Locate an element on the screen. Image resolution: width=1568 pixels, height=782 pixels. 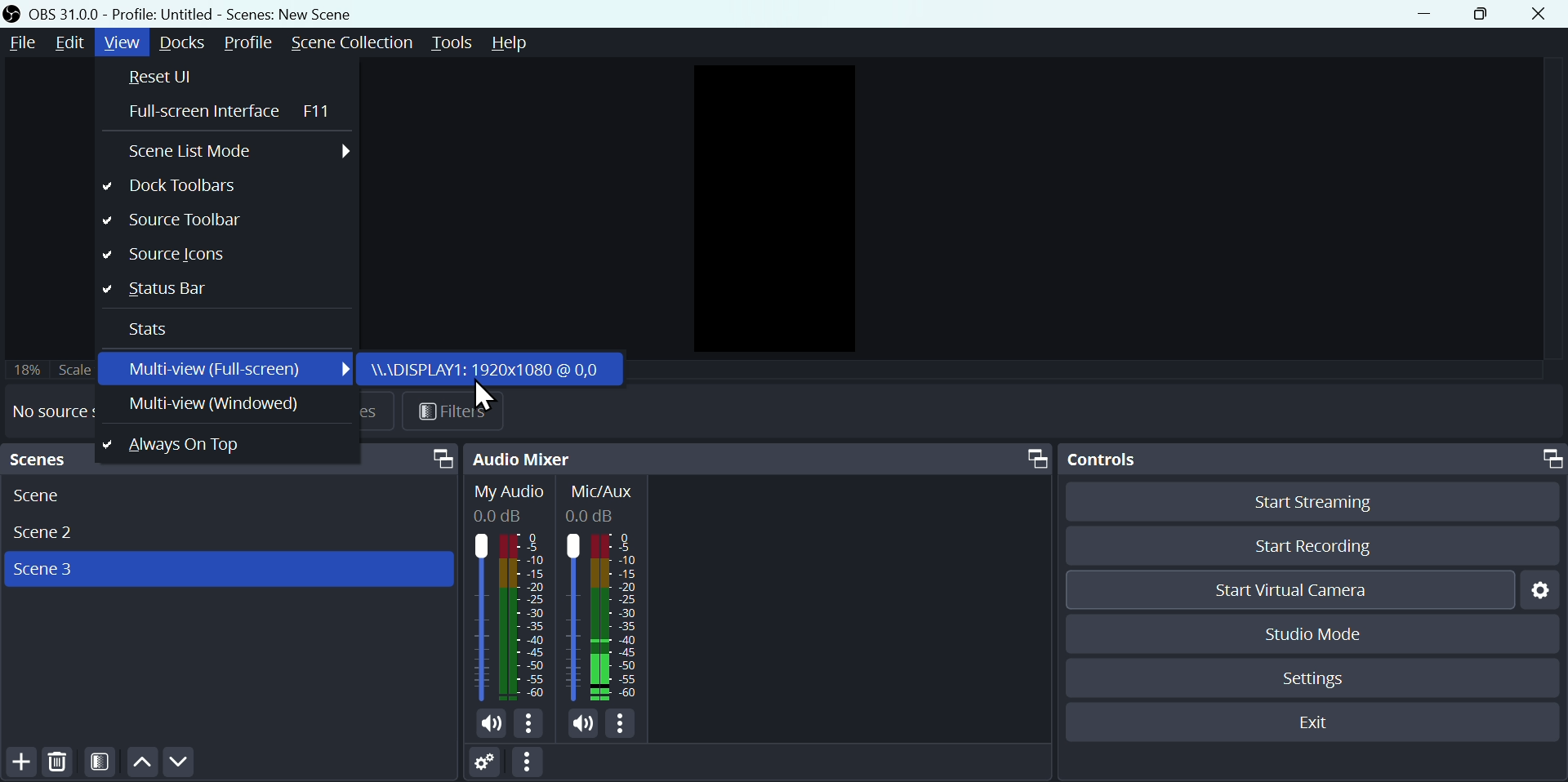
Mic/Aux is located at coordinates (604, 593).